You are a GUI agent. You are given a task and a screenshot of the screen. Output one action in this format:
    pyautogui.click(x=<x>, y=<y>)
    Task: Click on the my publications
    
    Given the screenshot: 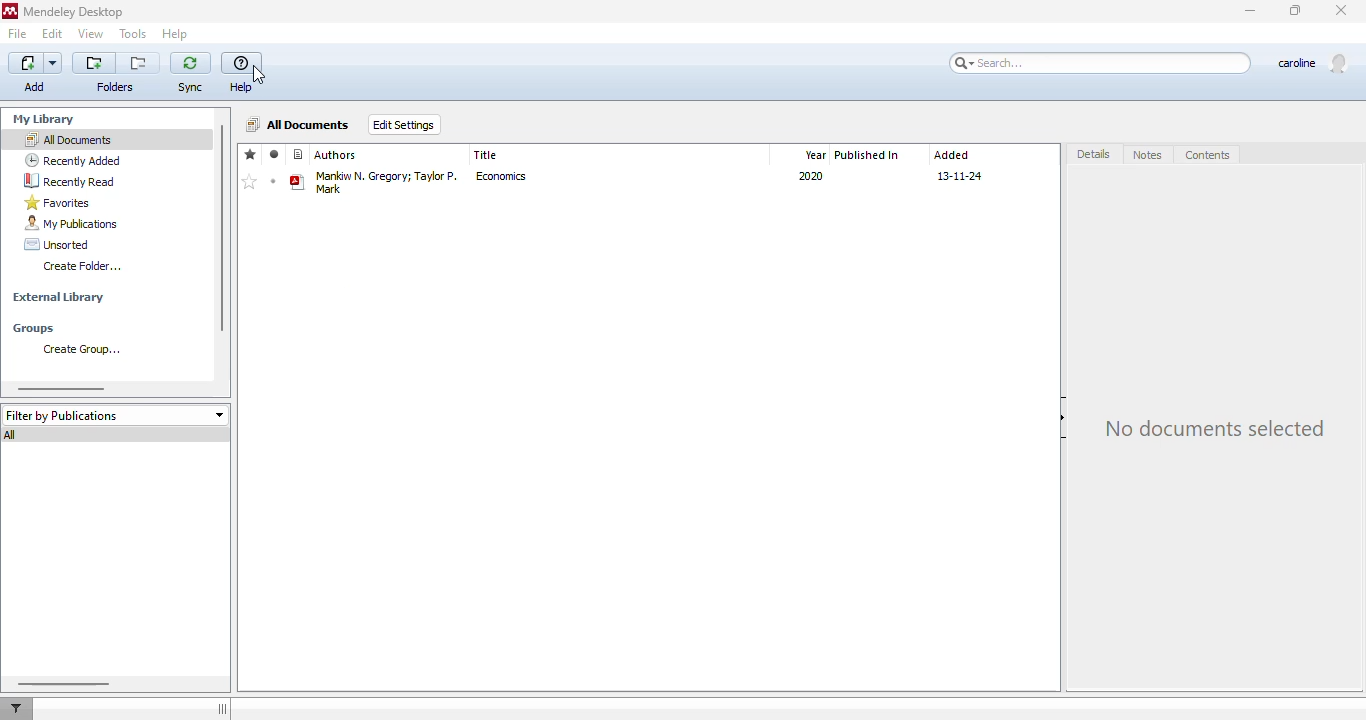 What is the action you would take?
    pyautogui.click(x=73, y=223)
    